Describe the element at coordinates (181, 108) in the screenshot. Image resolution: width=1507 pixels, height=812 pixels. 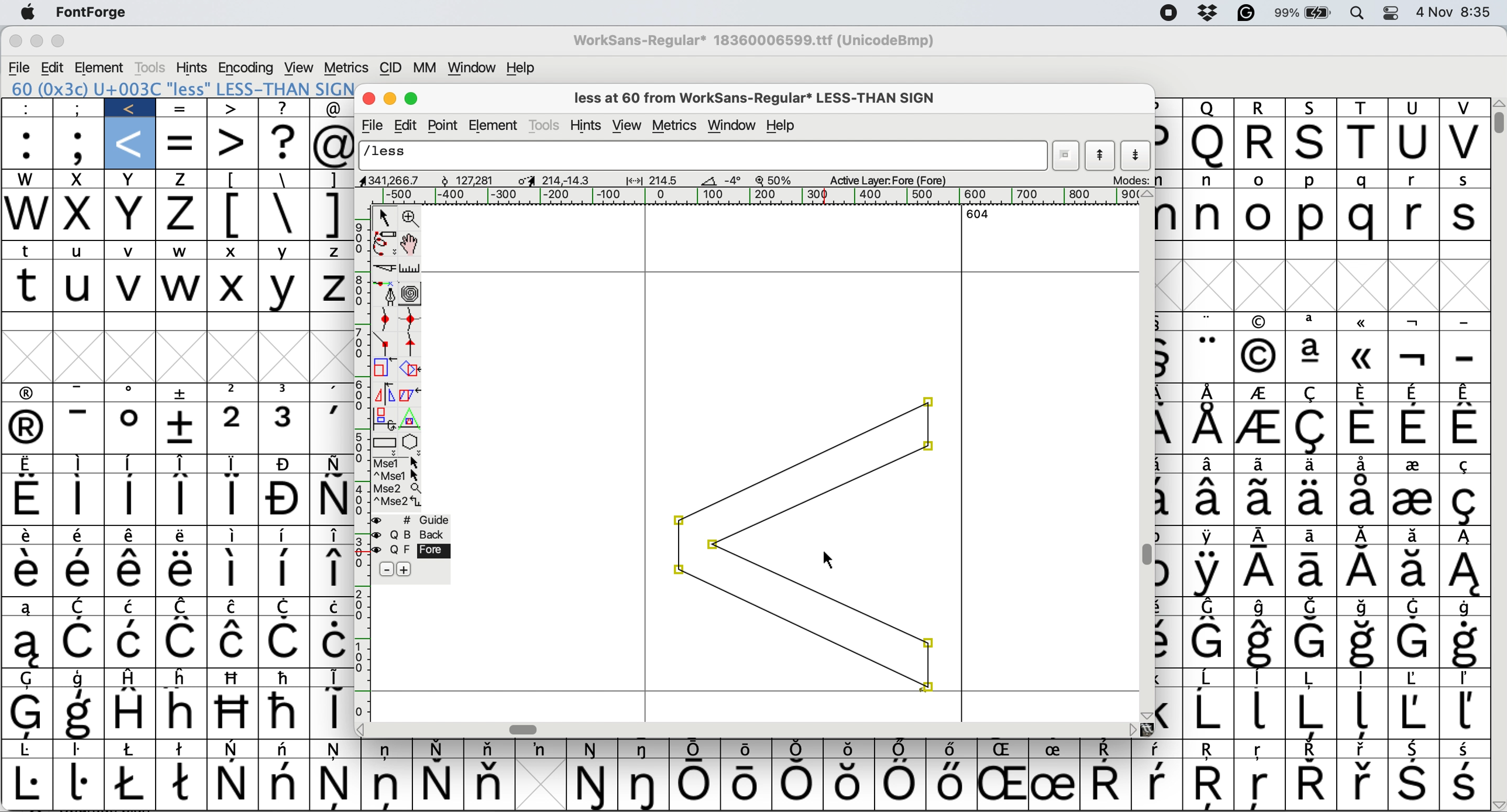
I see `=` at that location.